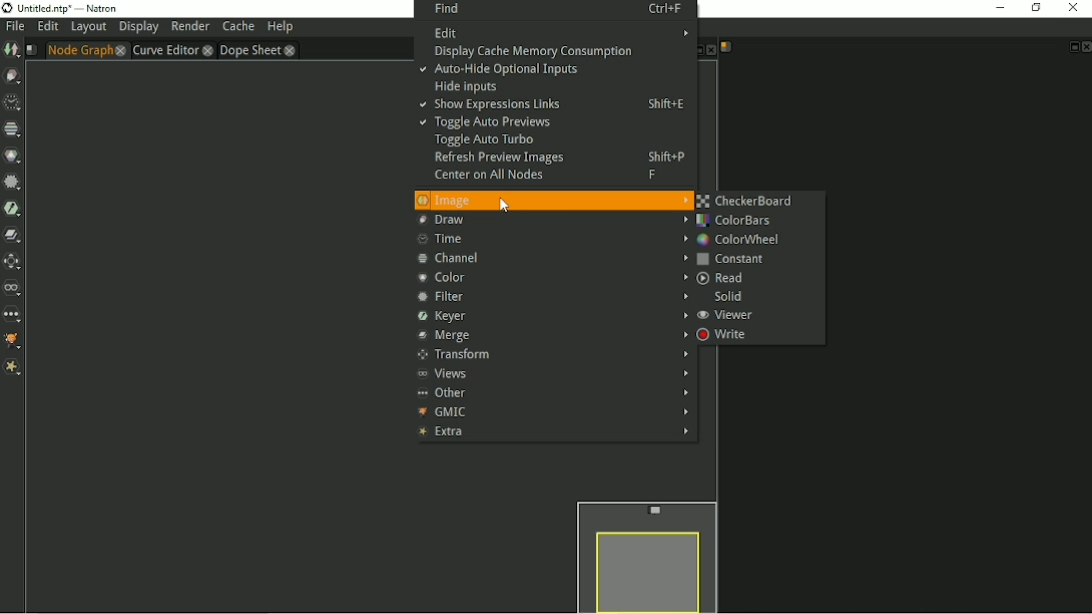 Image resolution: width=1092 pixels, height=614 pixels. What do you see at coordinates (468, 87) in the screenshot?
I see `Hide inputs` at bounding box center [468, 87].